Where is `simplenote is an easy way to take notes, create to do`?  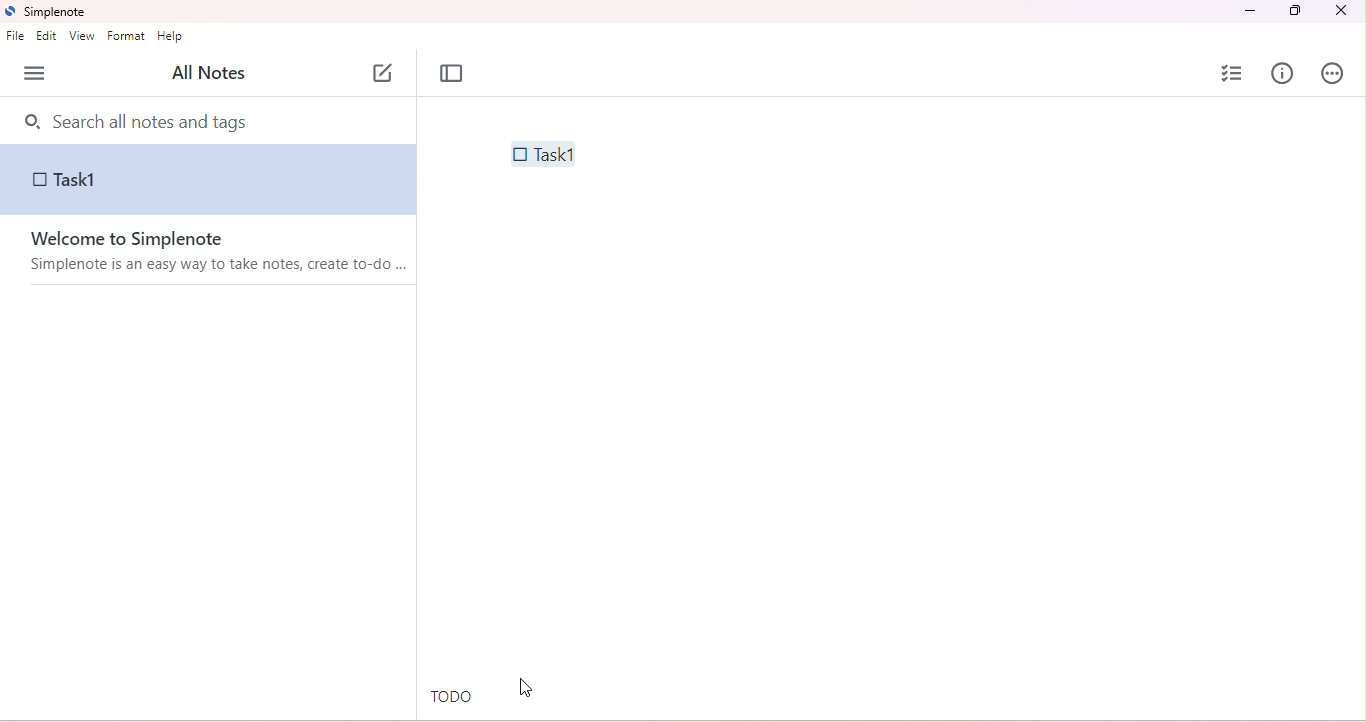
simplenote is an easy way to take notes, create to do is located at coordinates (221, 266).